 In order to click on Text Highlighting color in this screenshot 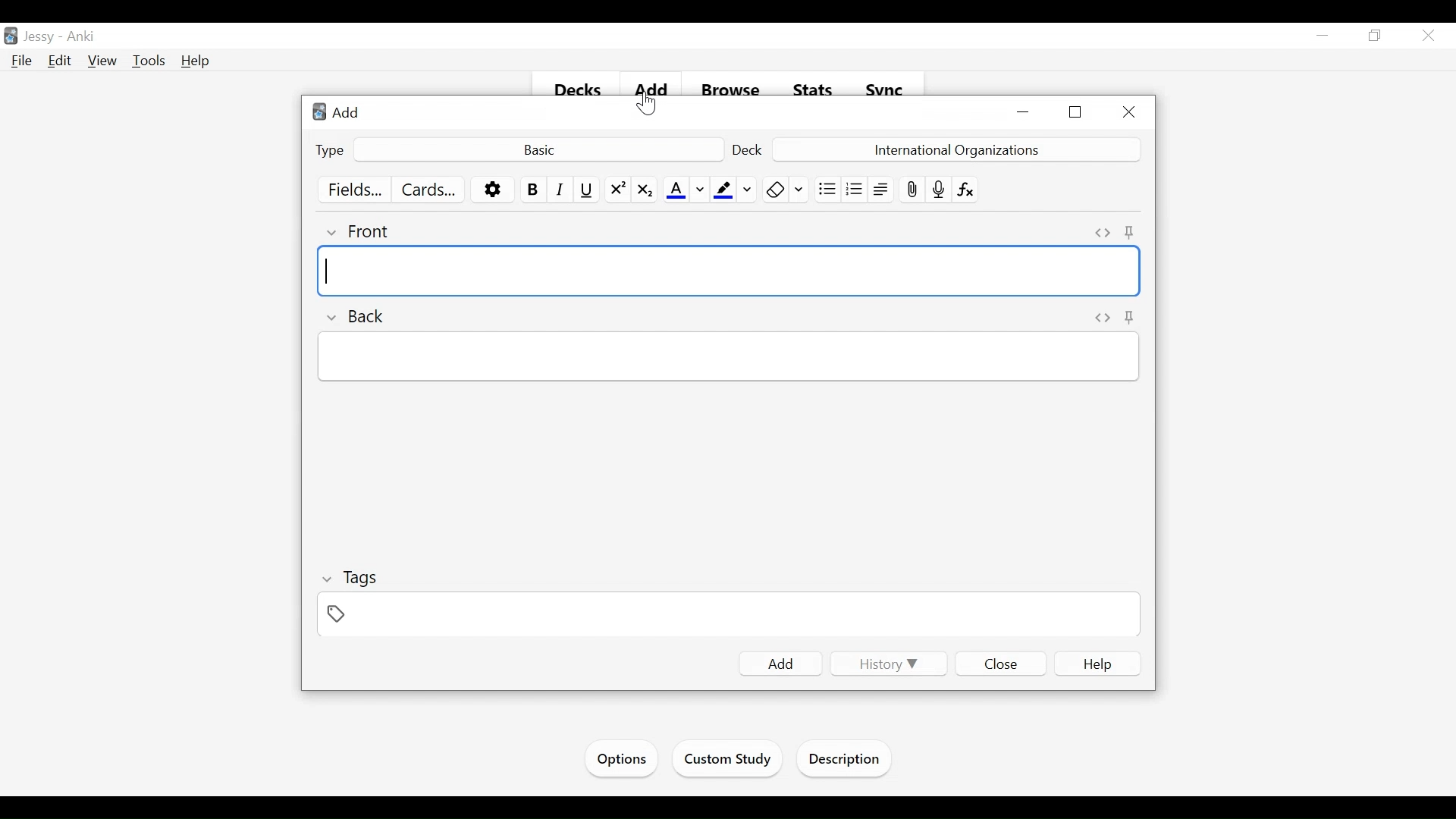, I will do `click(723, 190)`.